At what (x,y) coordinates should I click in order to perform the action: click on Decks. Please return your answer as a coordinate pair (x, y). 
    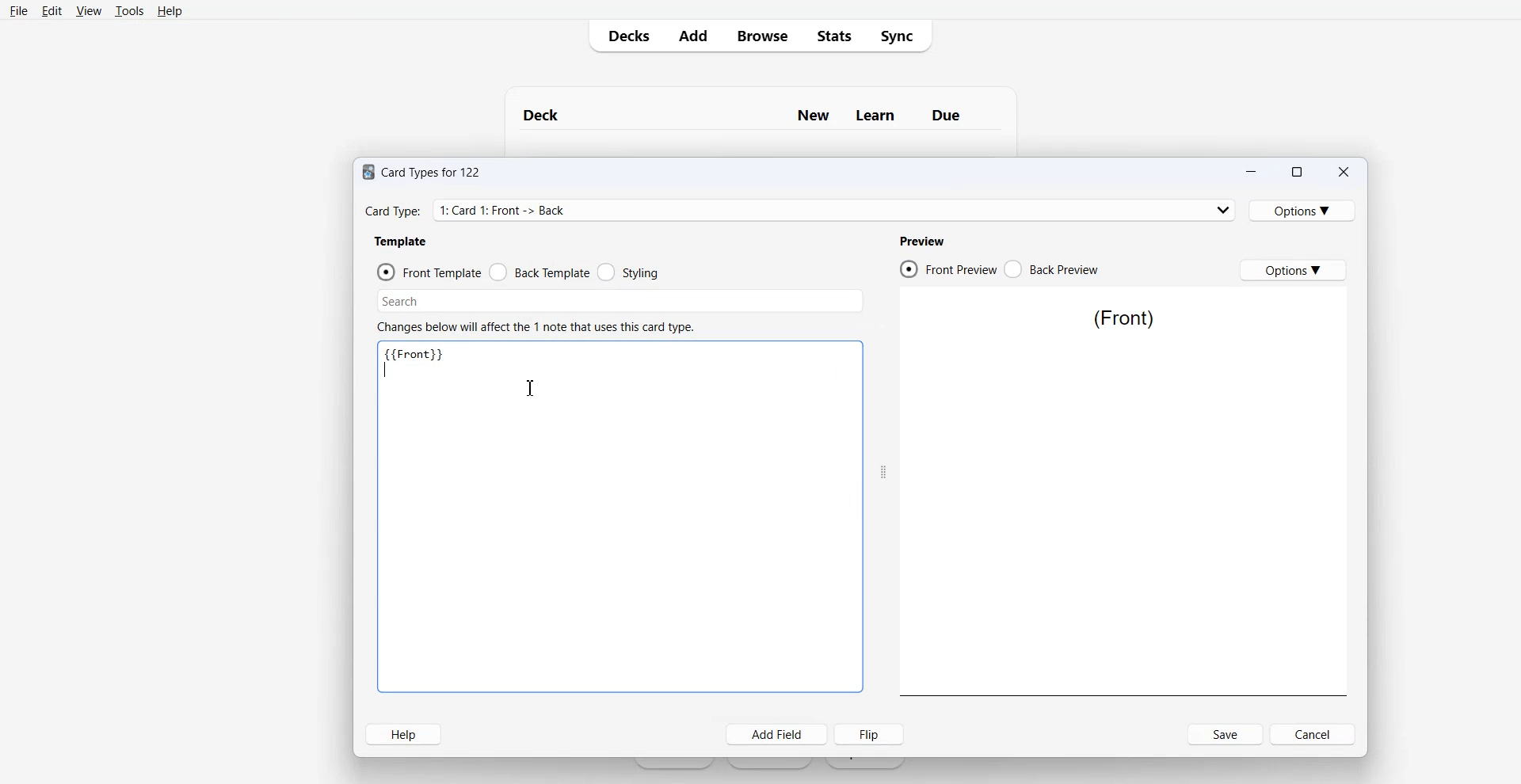
    Looking at the image, I should click on (625, 36).